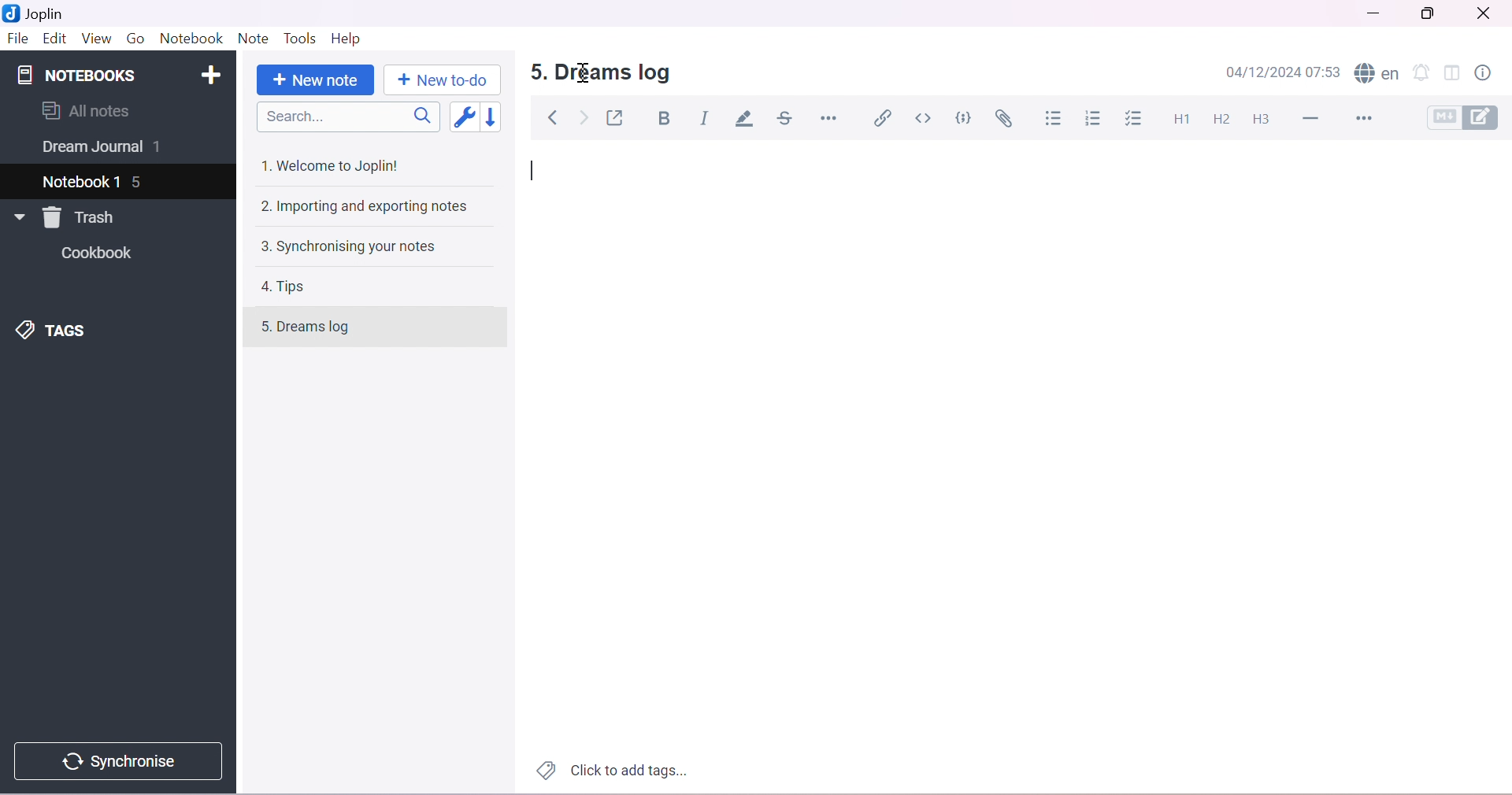 This screenshot has width=1512, height=795. Describe the element at coordinates (367, 208) in the screenshot. I see `2. Importing and exporting notes` at that location.